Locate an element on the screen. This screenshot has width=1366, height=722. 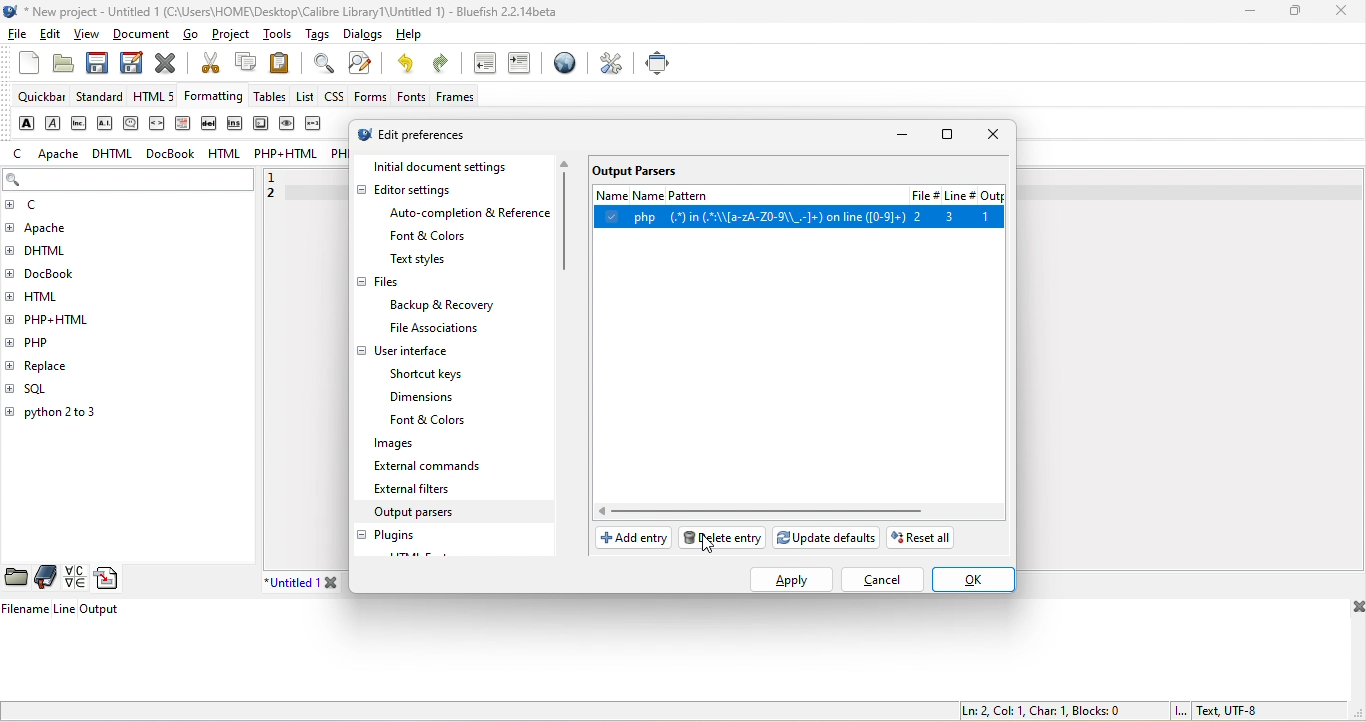
reset all is located at coordinates (925, 540).